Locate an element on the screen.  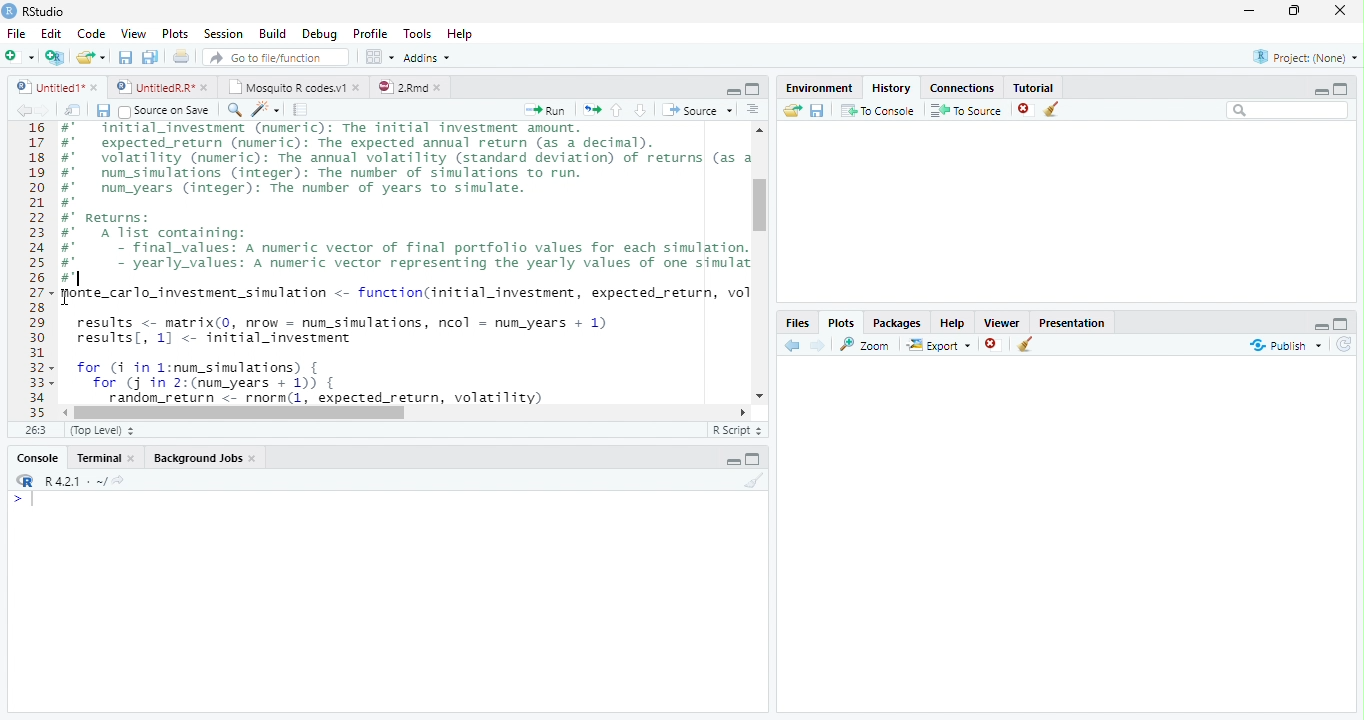
Background Jobs. is located at coordinates (206, 457).